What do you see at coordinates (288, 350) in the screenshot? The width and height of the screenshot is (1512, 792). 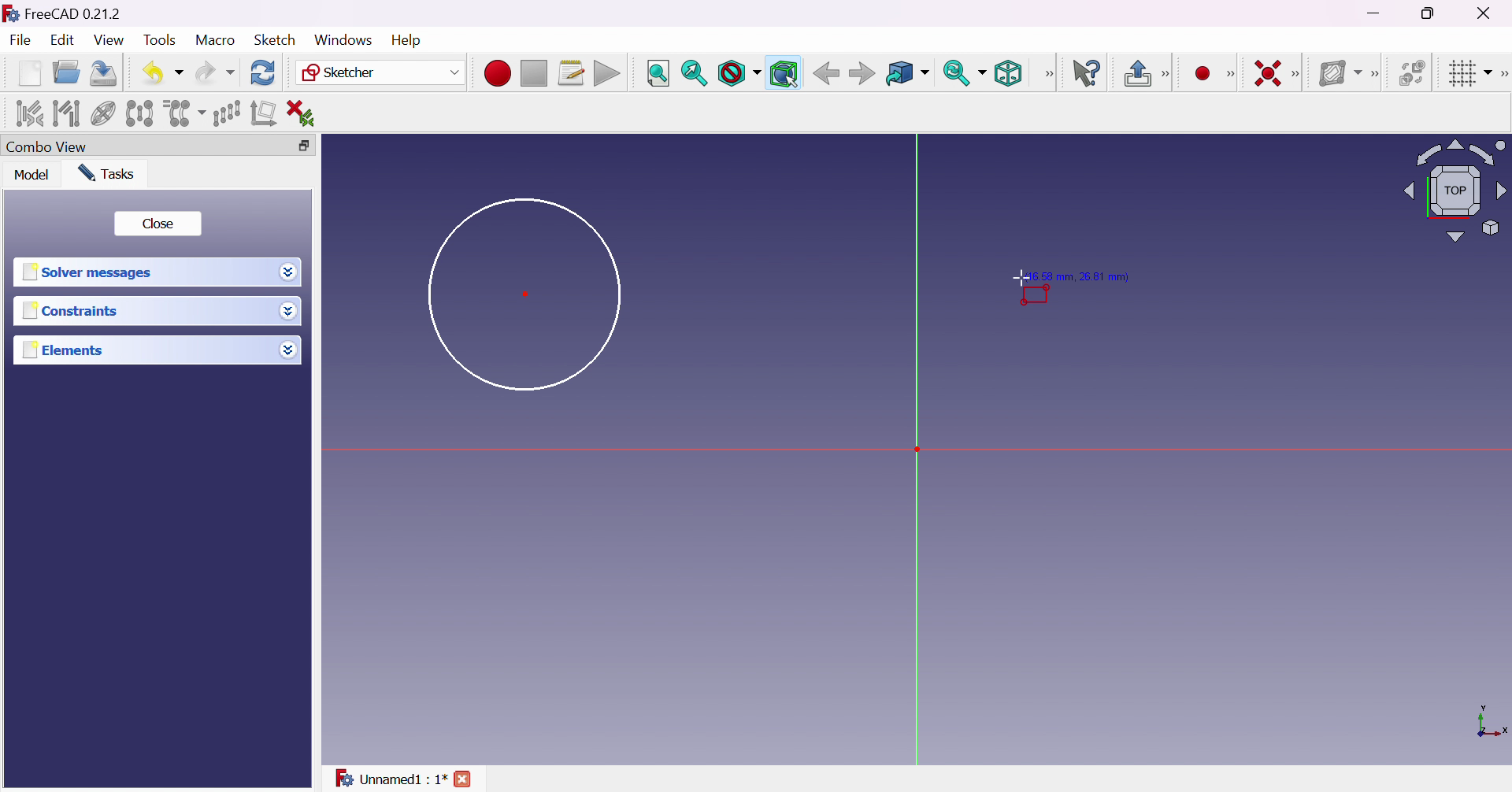 I see `Drop down` at bounding box center [288, 350].